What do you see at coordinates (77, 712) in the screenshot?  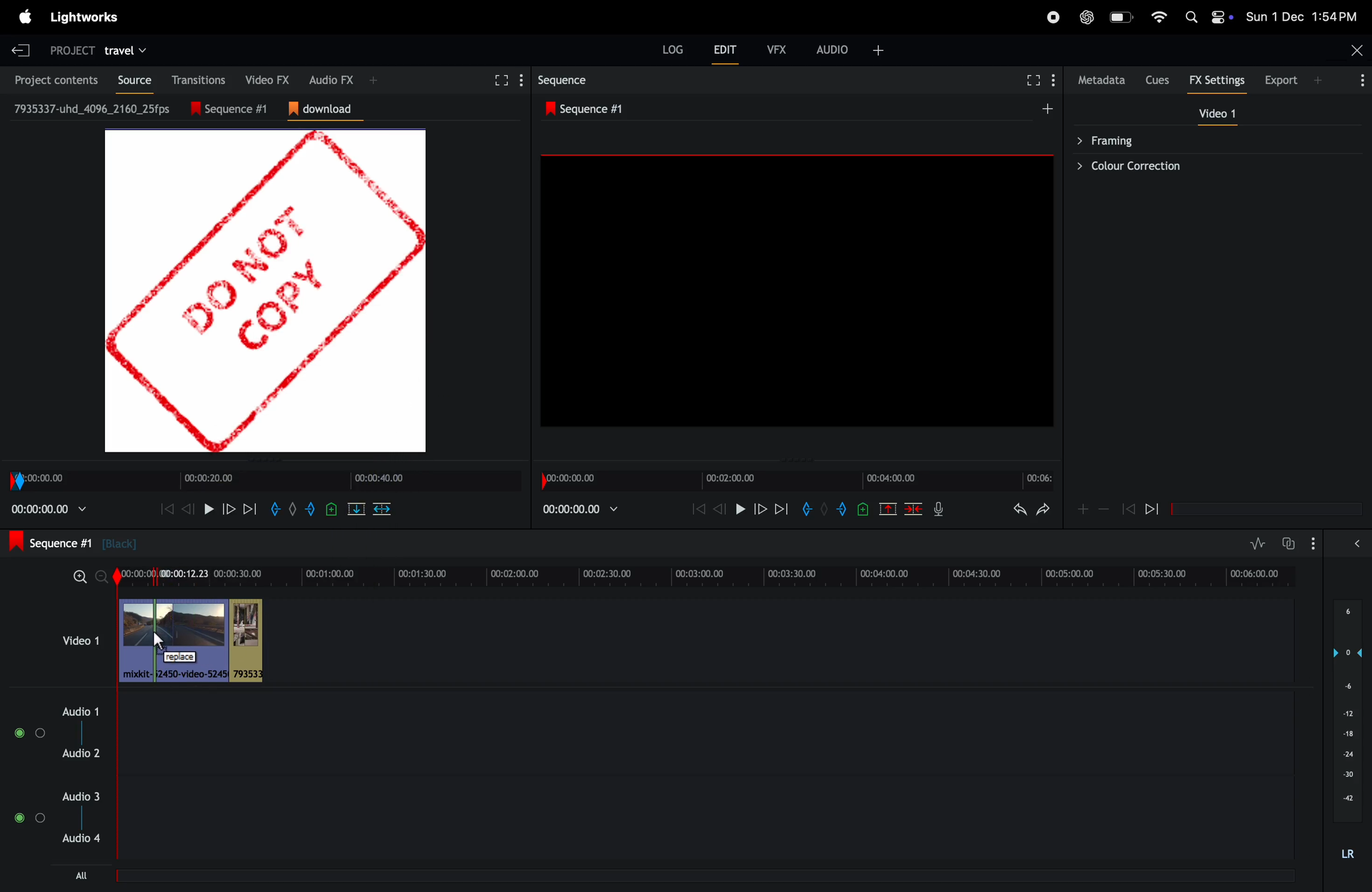 I see `audio 1` at bounding box center [77, 712].